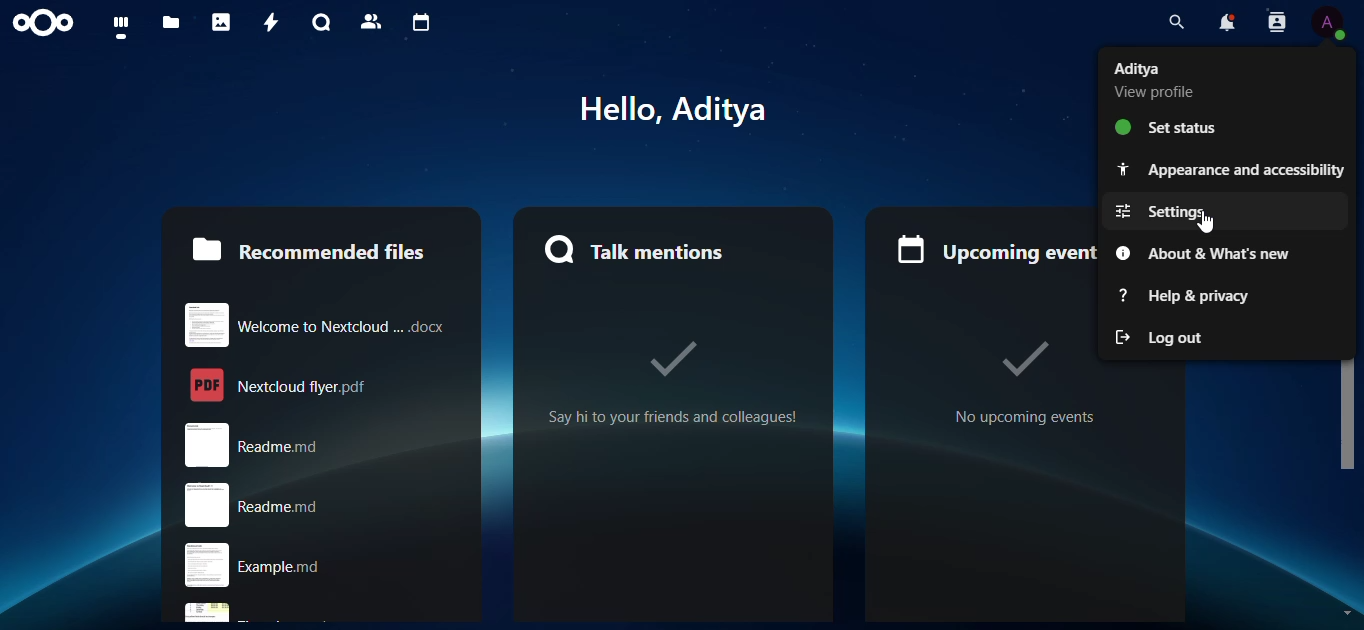 The height and width of the screenshot is (630, 1364). What do you see at coordinates (320, 384) in the screenshot?
I see `Next cloud flyer` at bounding box center [320, 384].